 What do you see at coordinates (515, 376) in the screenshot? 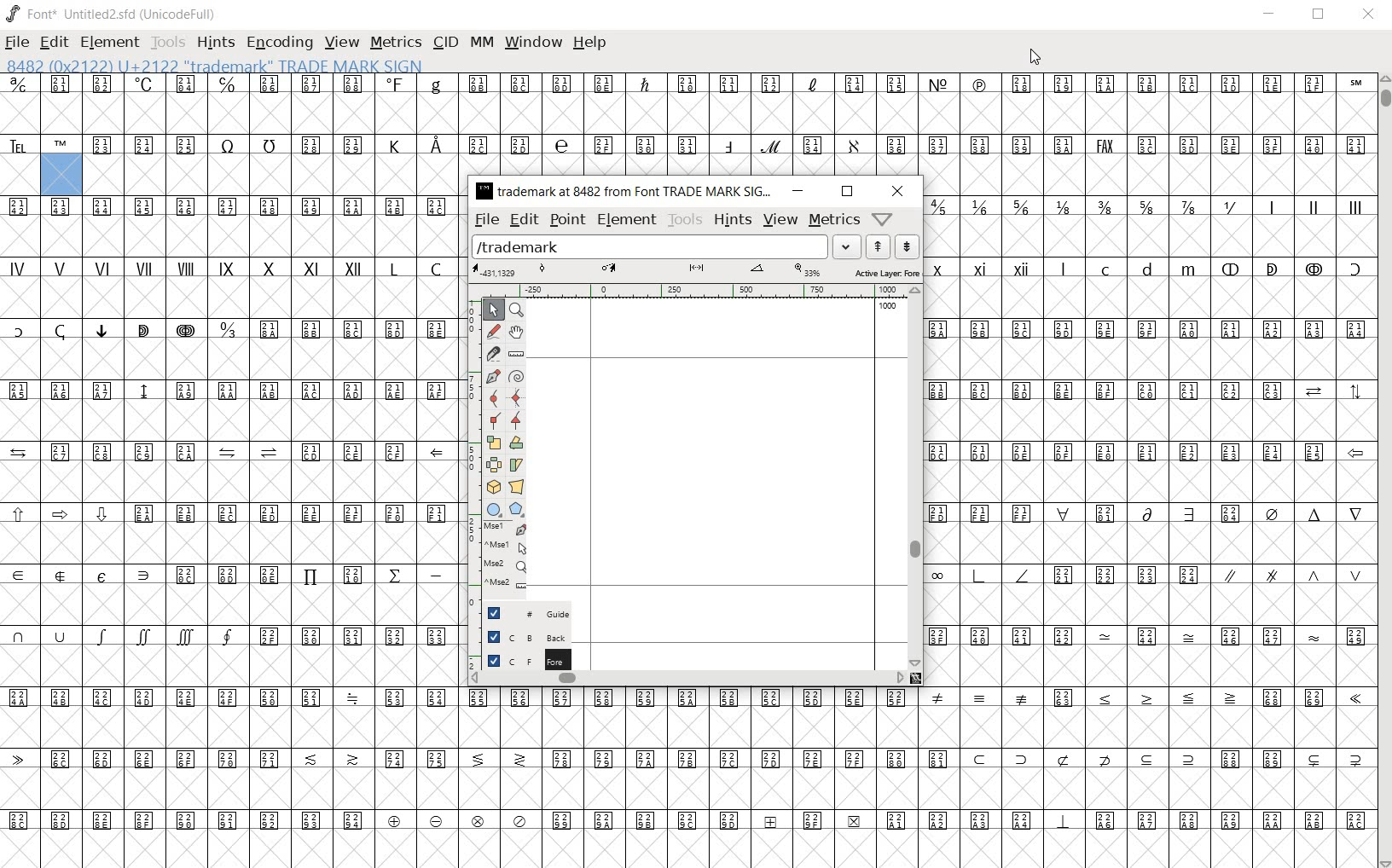
I see `change whether spiro is active or not` at bounding box center [515, 376].